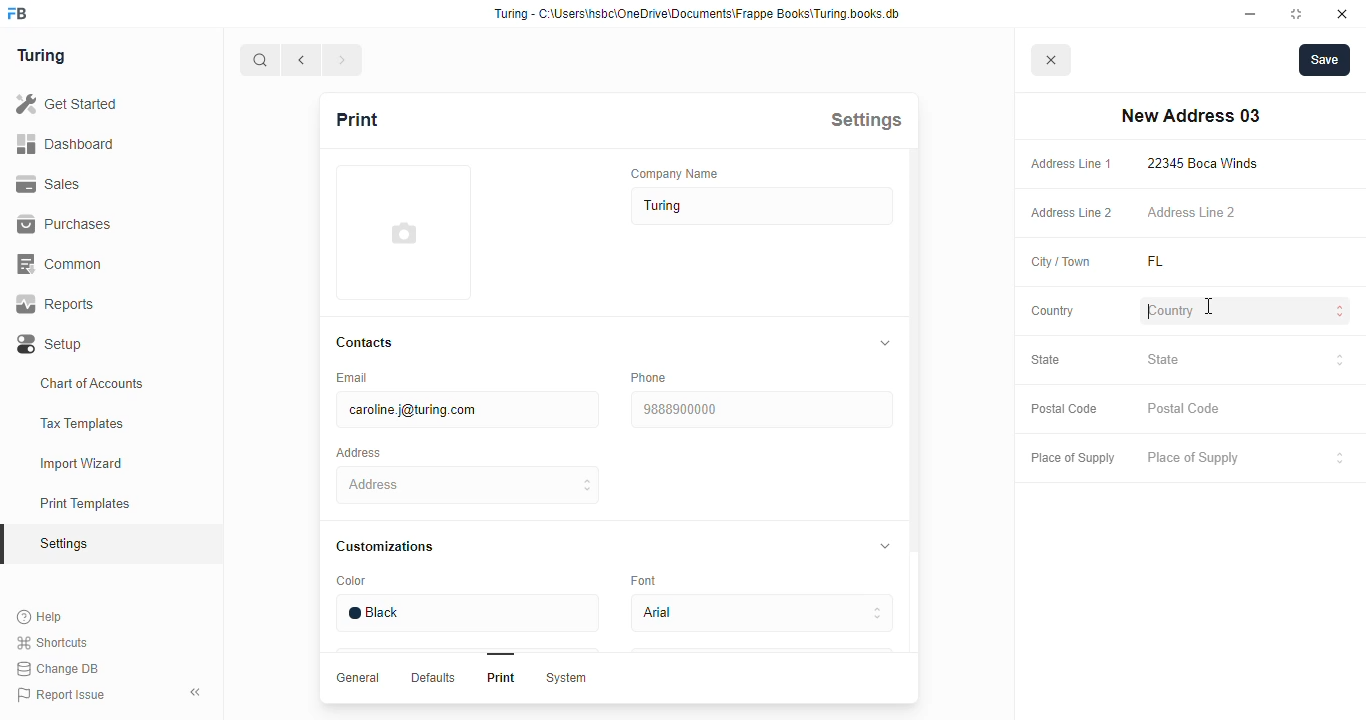 Image resolution: width=1366 pixels, height=720 pixels. I want to click on tax templates, so click(81, 423).